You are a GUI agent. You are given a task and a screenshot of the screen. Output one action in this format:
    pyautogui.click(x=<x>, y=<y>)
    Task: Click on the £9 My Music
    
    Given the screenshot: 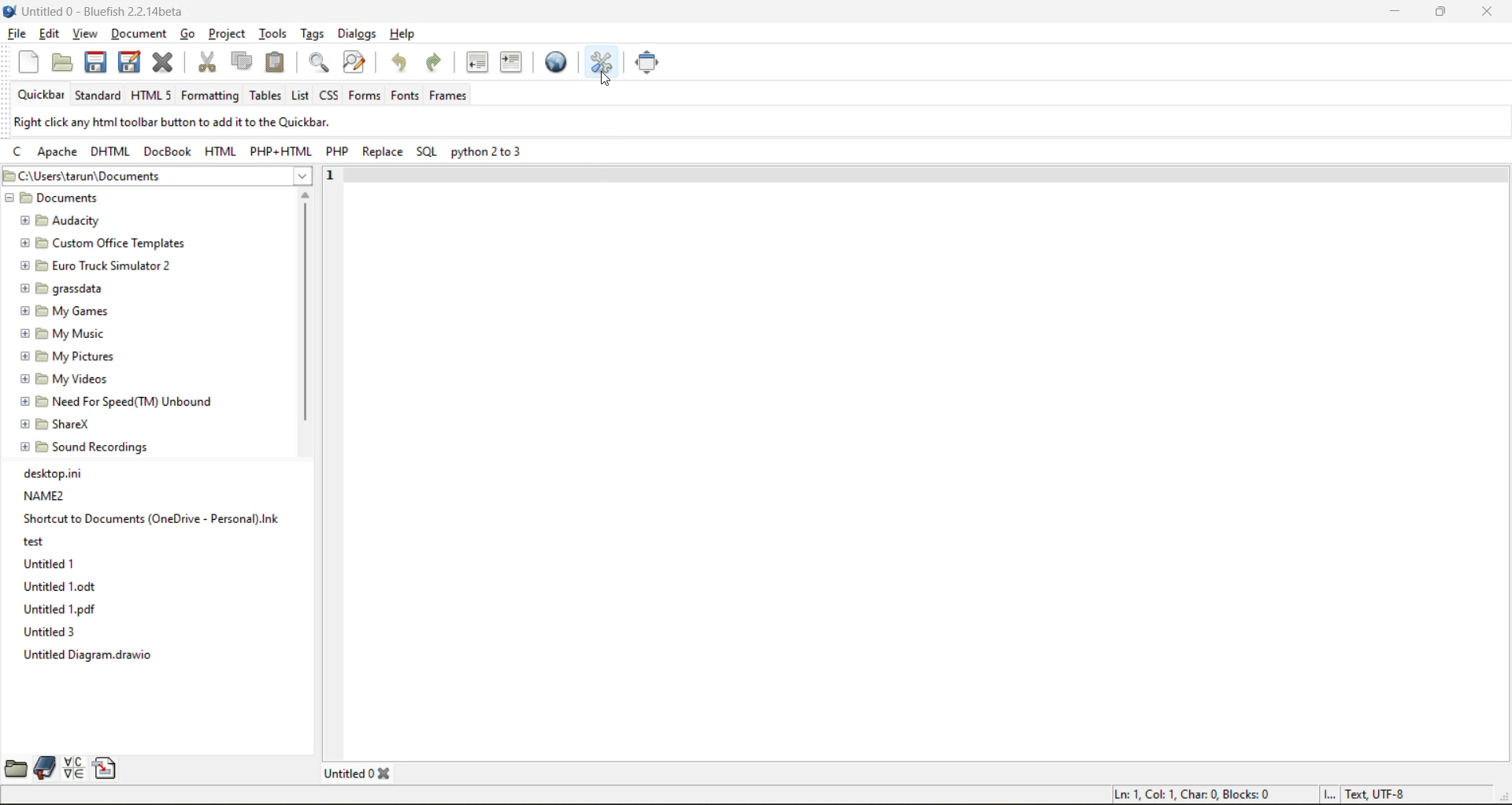 What is the action you would take?
    pyautogui.click(x=62, y=333)
    